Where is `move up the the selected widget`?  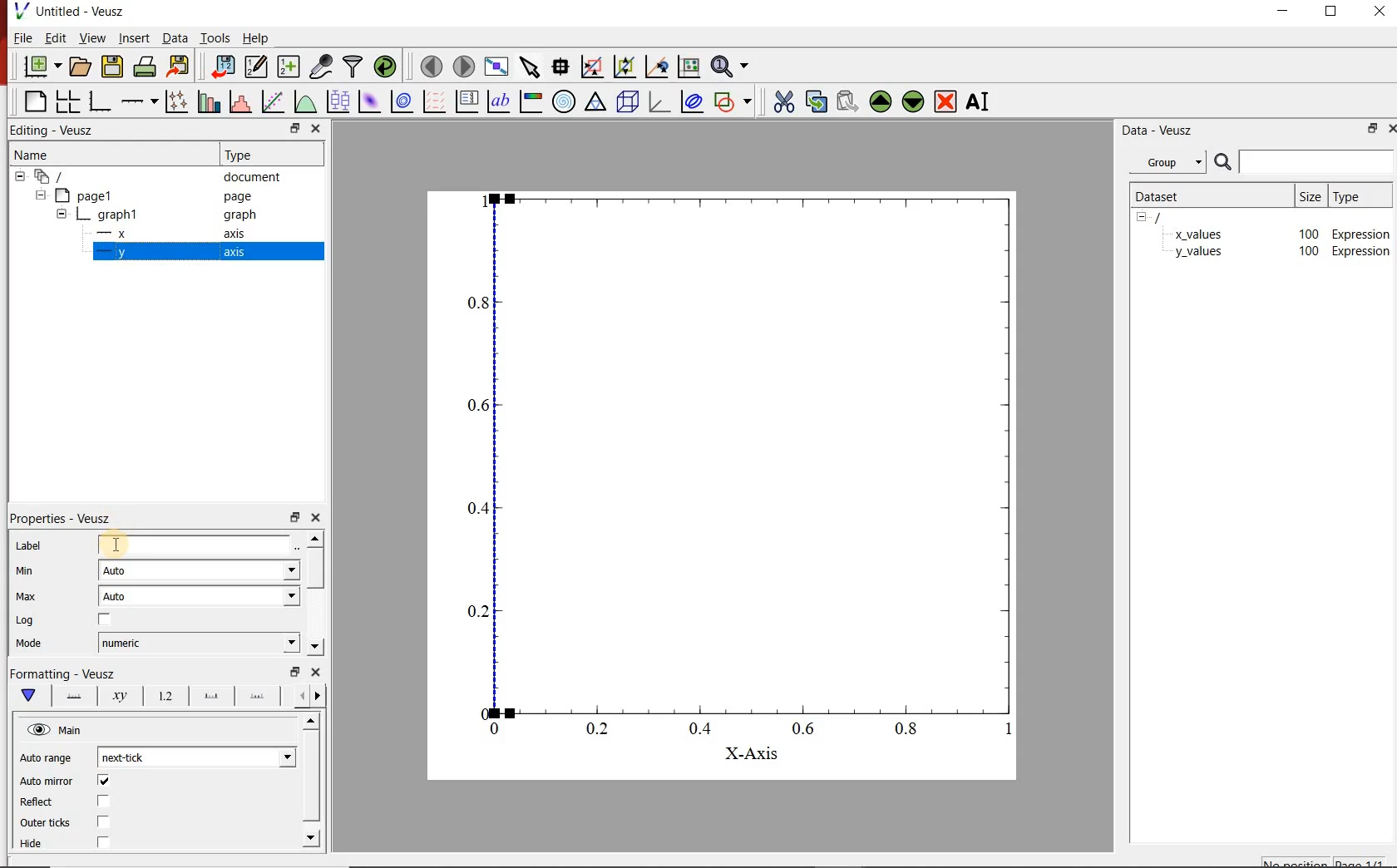
move up the the selected widget is located at coordinates (878, 103).